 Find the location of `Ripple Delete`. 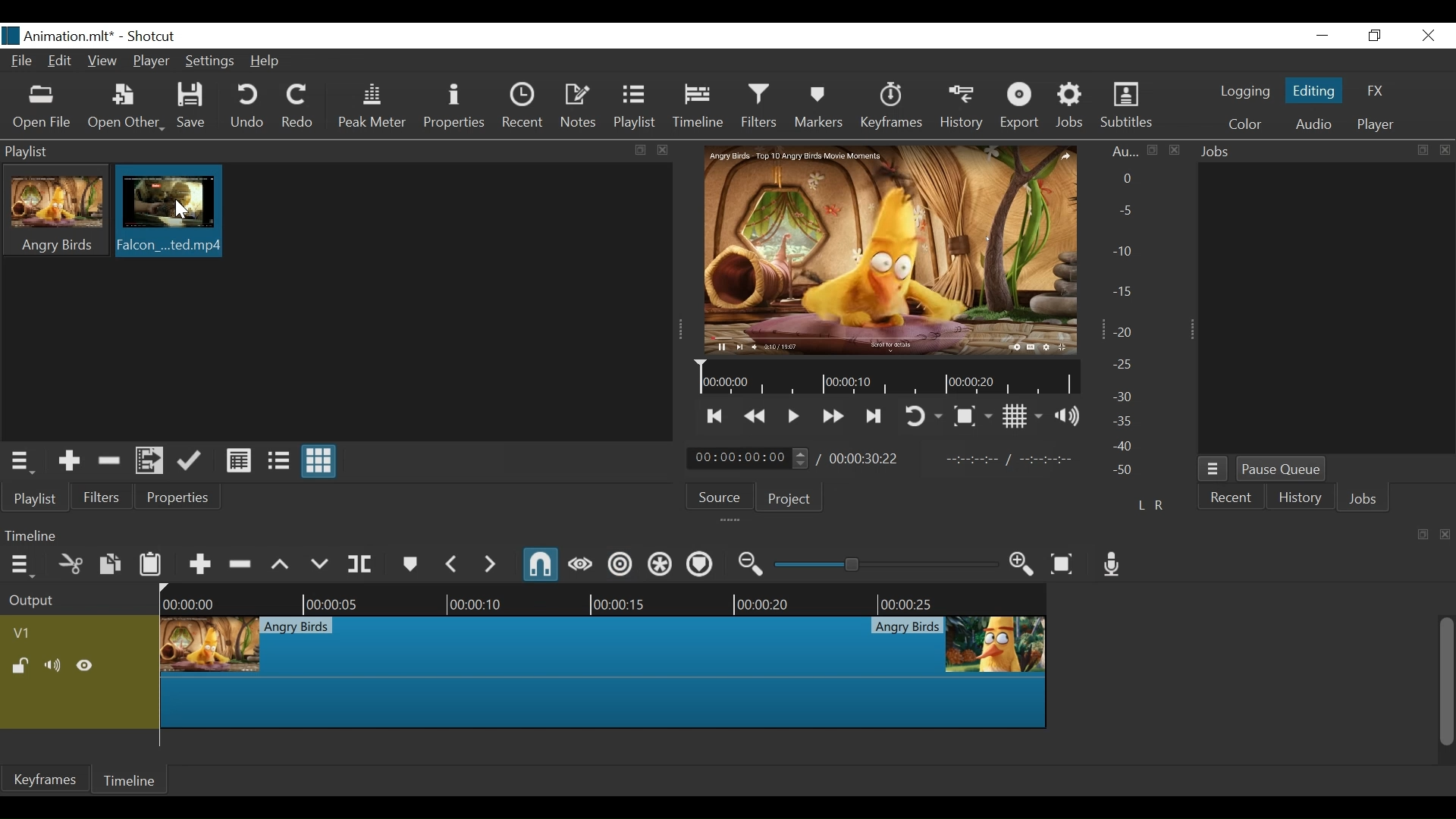

Ripple Delete is located at coordinates (242, 562).